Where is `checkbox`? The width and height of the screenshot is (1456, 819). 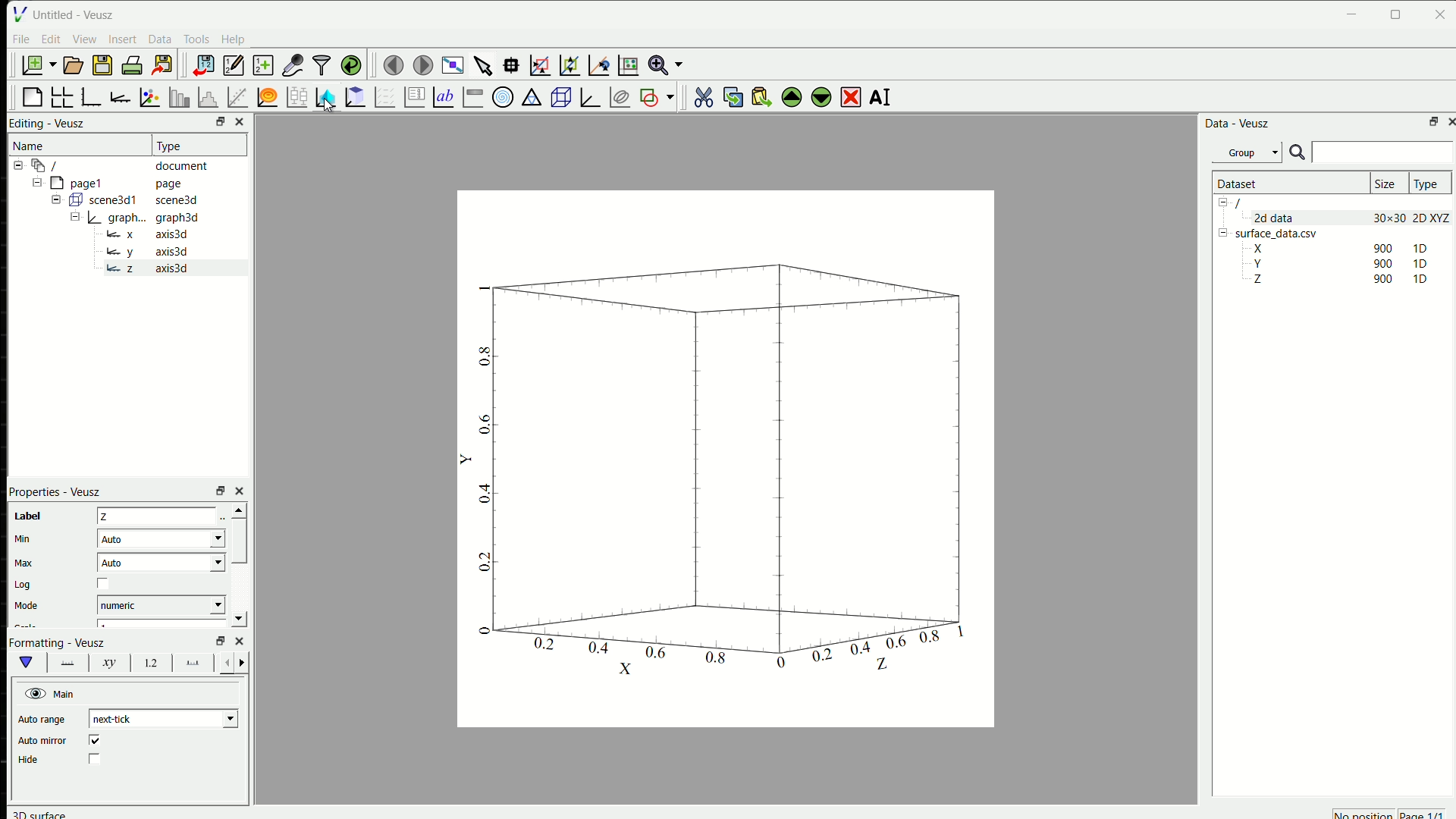 checkbox is located at coordinates (95, 759).